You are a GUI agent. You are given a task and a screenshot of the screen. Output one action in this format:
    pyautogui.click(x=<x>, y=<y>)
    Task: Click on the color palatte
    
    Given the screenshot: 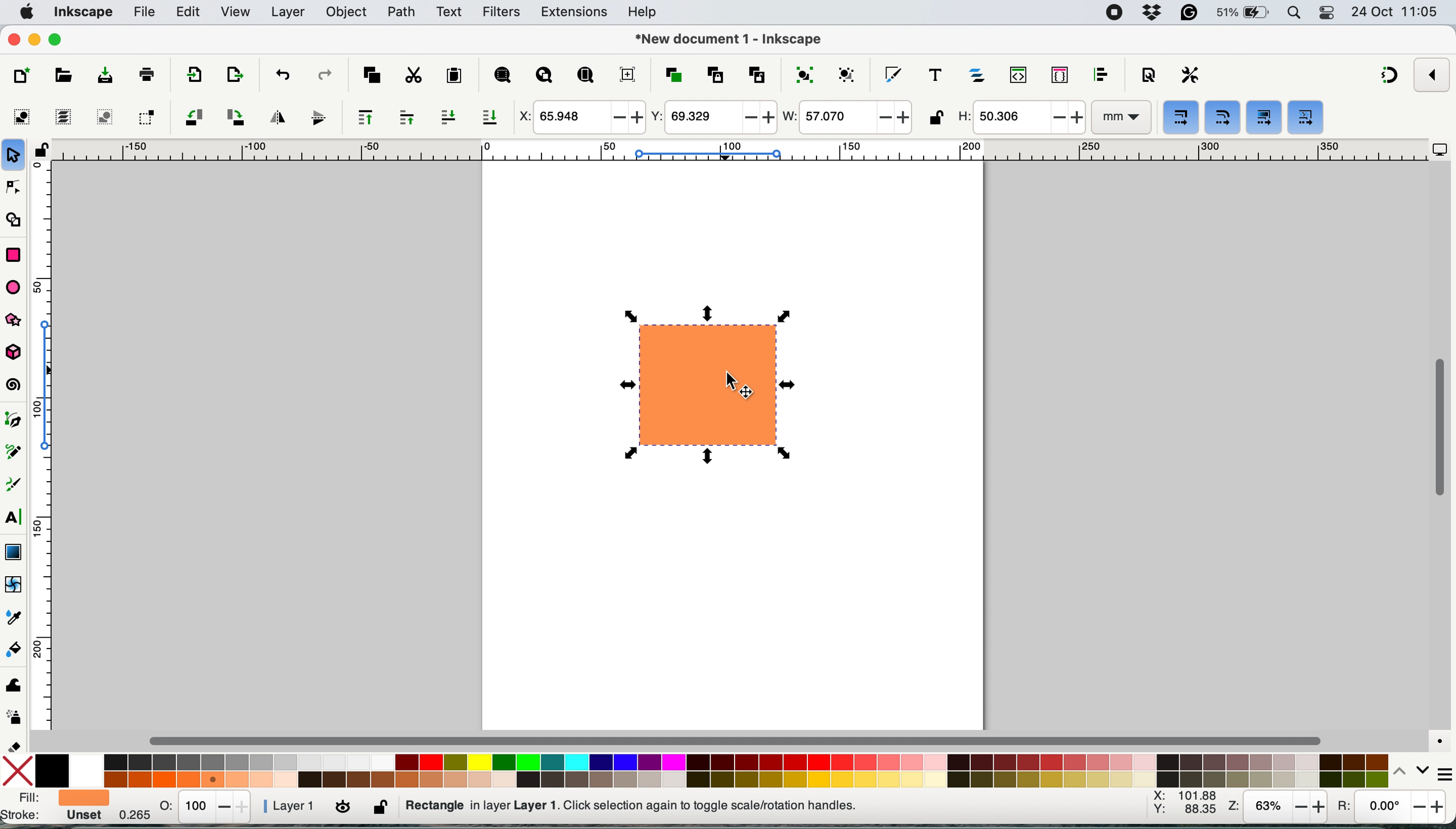 What is the action you would take?
    pyautogui.click(x=713, y=769)
    